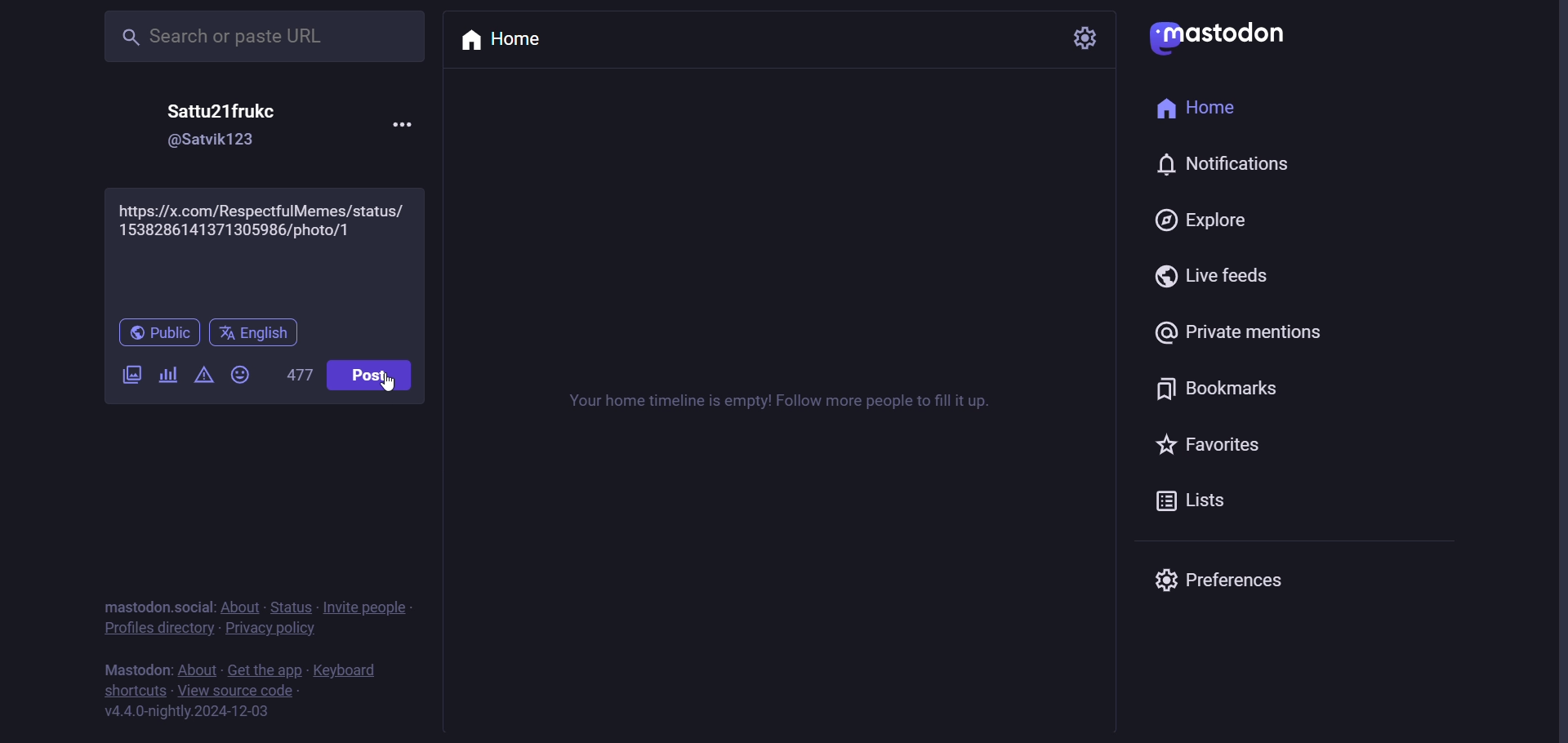 This screenshot has height=743, width=1568. I want to click on mastodon, so click(1220, 37).